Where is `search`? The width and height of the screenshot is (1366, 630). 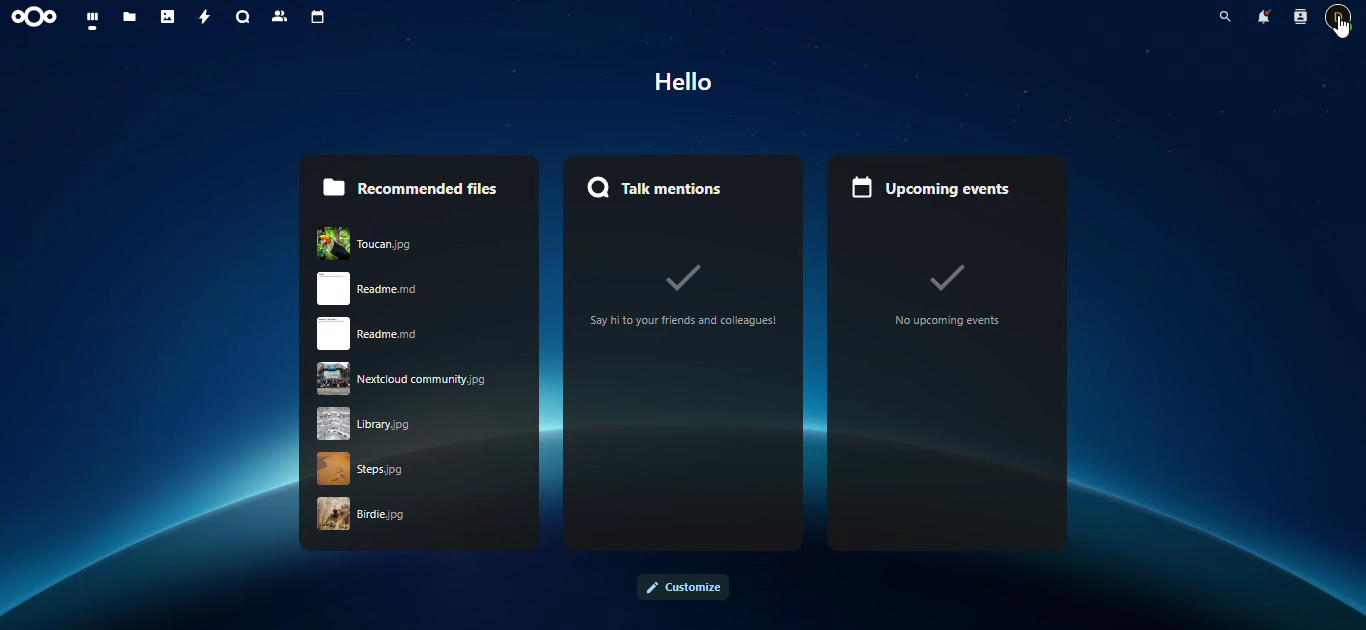
search is located at coordinates (244, 19).